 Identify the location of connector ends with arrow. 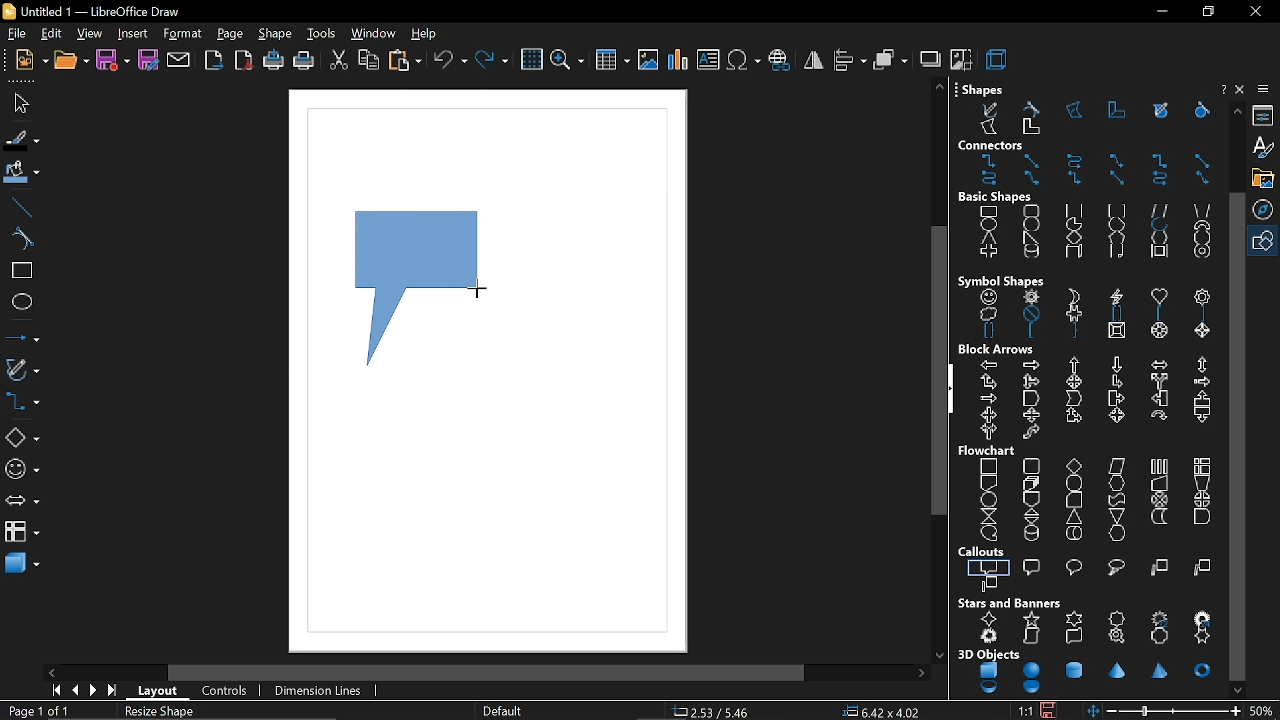
(990, 161).